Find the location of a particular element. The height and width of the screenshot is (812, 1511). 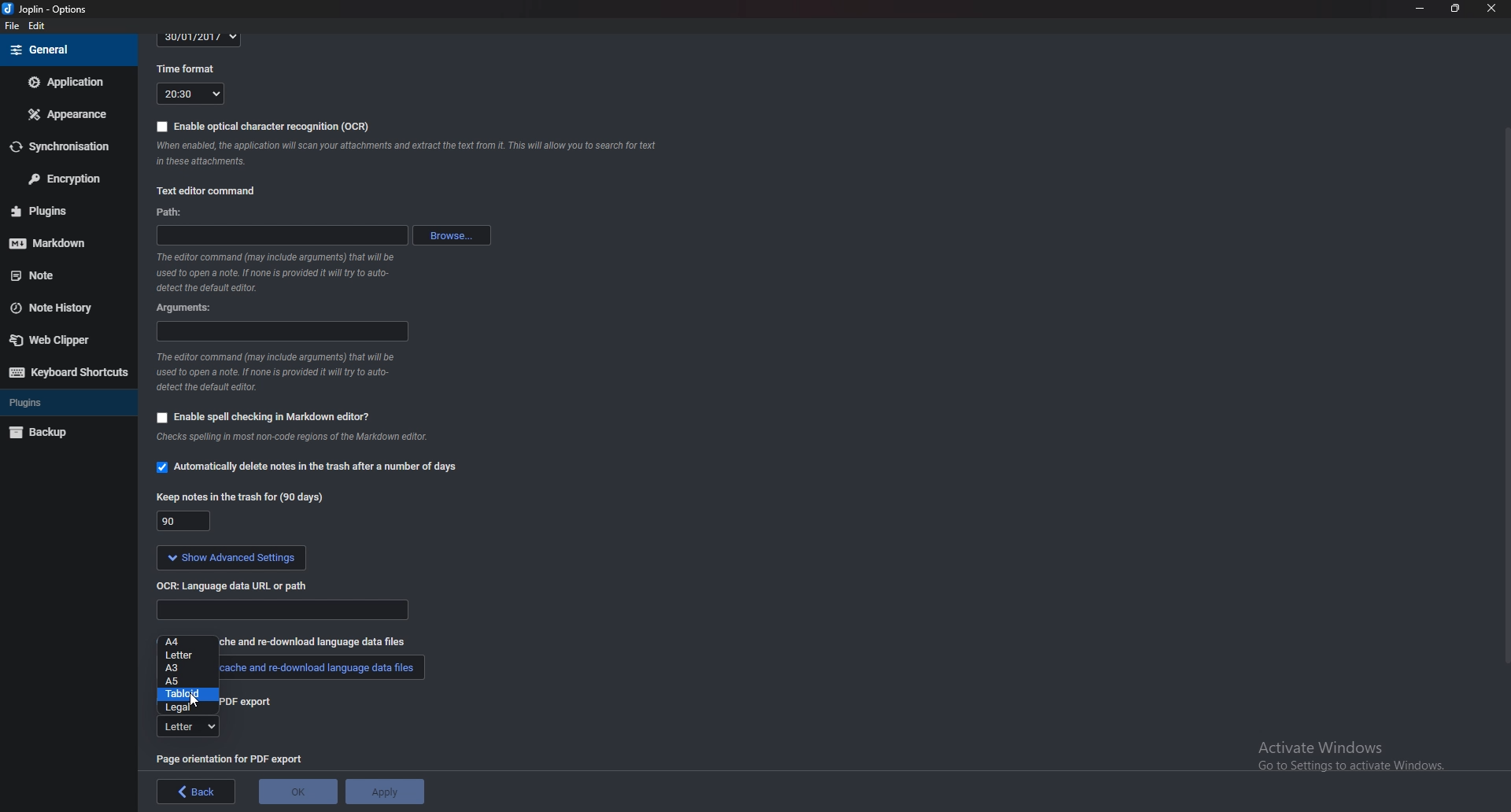

edit is located at coordinates (37, 27).